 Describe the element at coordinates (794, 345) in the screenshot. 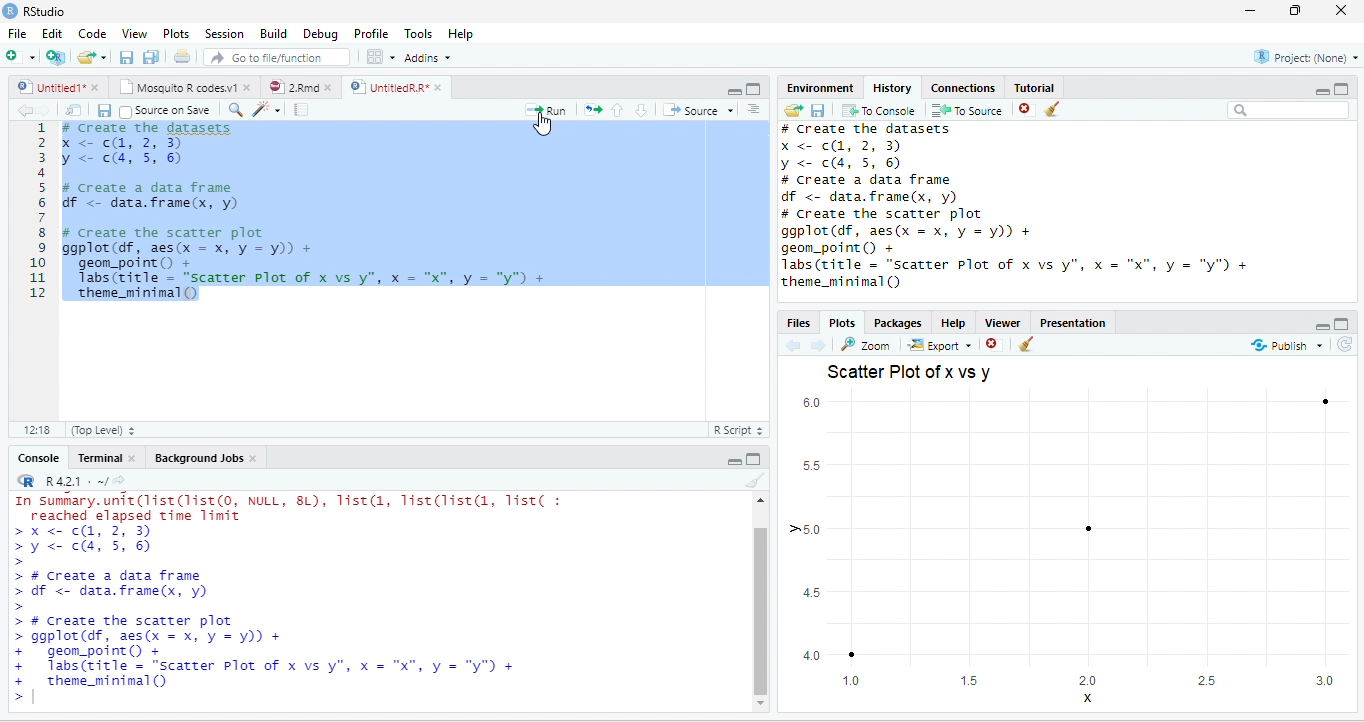

I see `Previous plot` at that location.